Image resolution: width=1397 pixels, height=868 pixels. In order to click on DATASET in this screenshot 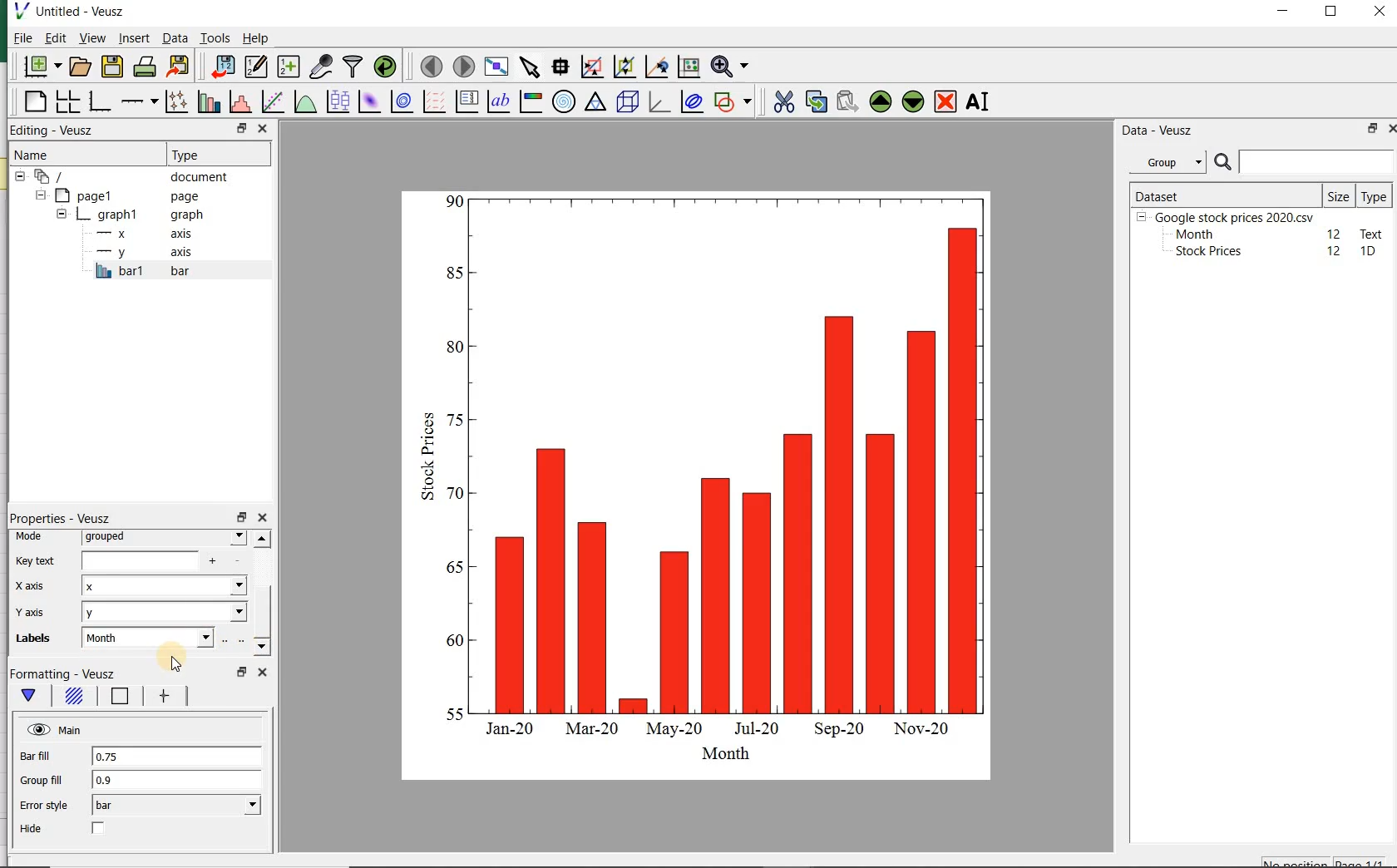, I will do `click(1224, 193)`.